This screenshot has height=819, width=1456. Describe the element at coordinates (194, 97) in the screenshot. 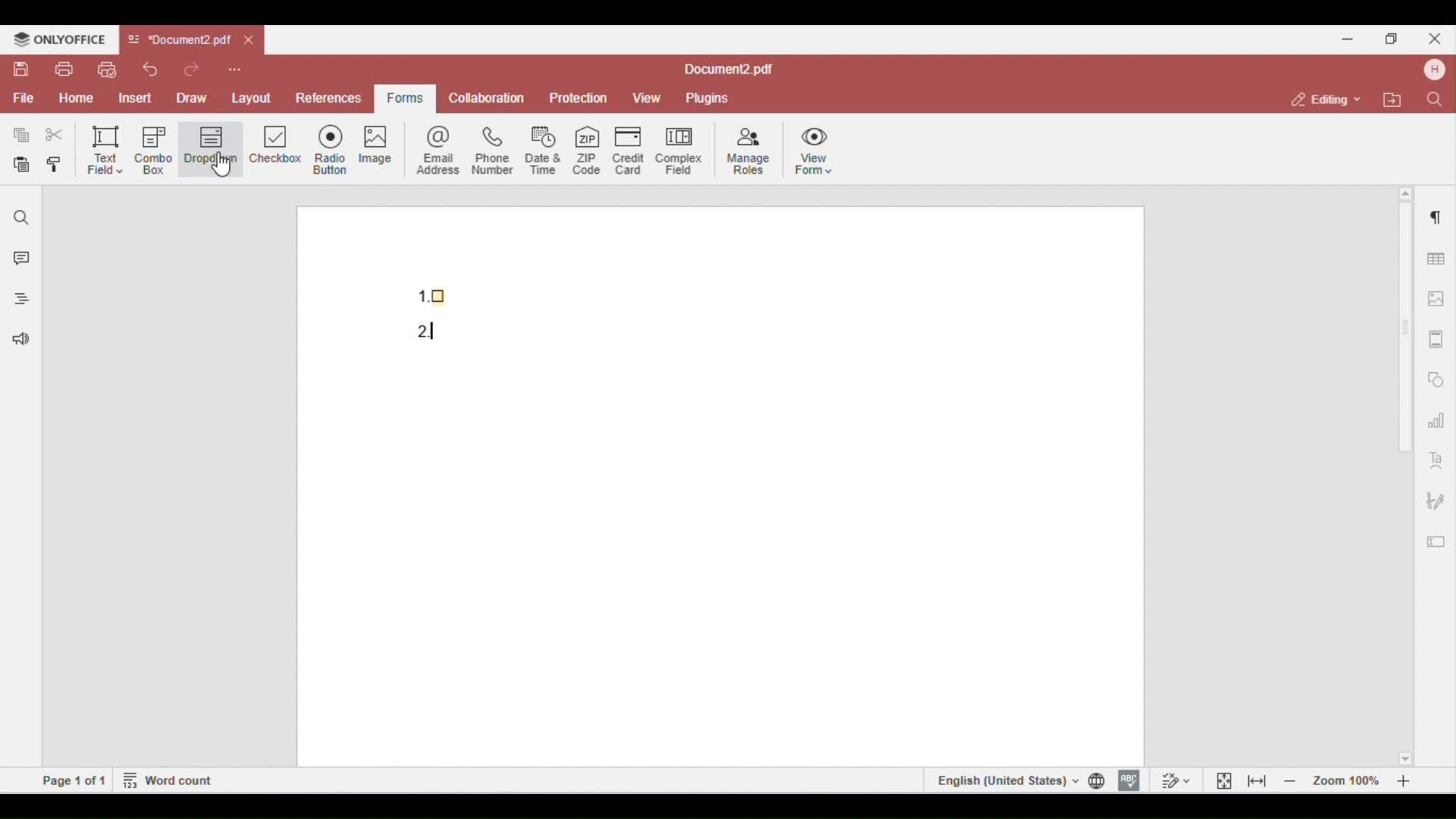

I see `draw` at that location.